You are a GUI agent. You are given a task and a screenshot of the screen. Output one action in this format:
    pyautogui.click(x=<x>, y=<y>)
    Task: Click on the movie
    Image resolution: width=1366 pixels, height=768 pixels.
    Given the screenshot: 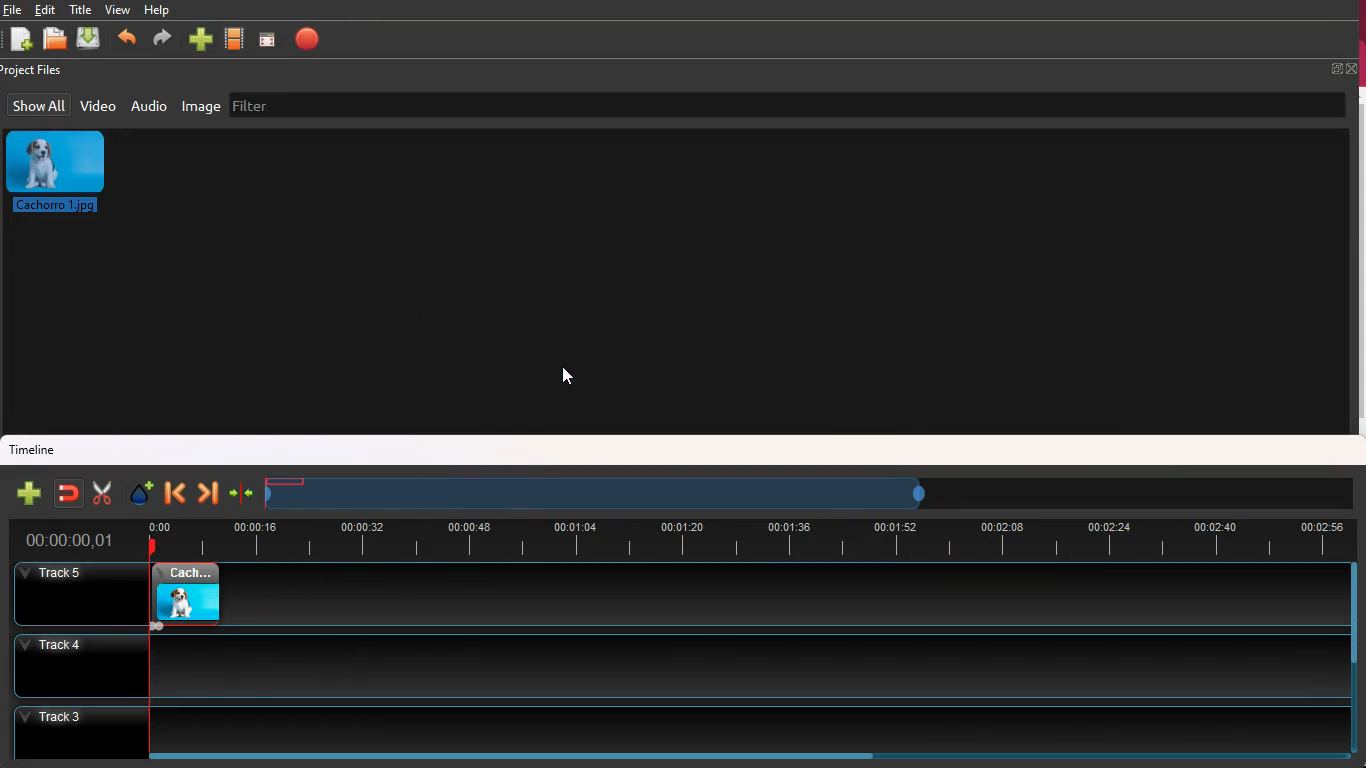 What is the action you would take?
    pyautogui.click(x=237, y=38)
    